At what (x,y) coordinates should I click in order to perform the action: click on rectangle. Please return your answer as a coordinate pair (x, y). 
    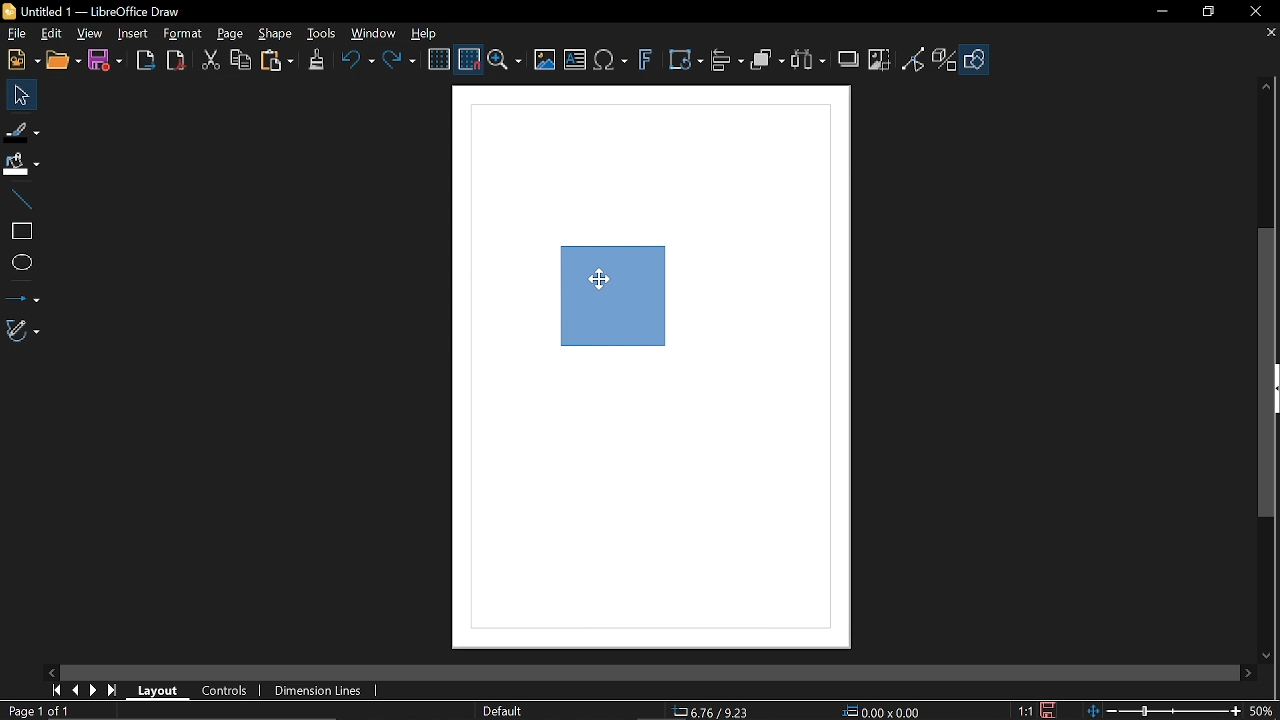
    Looking at the image, I should click on (19, 232).